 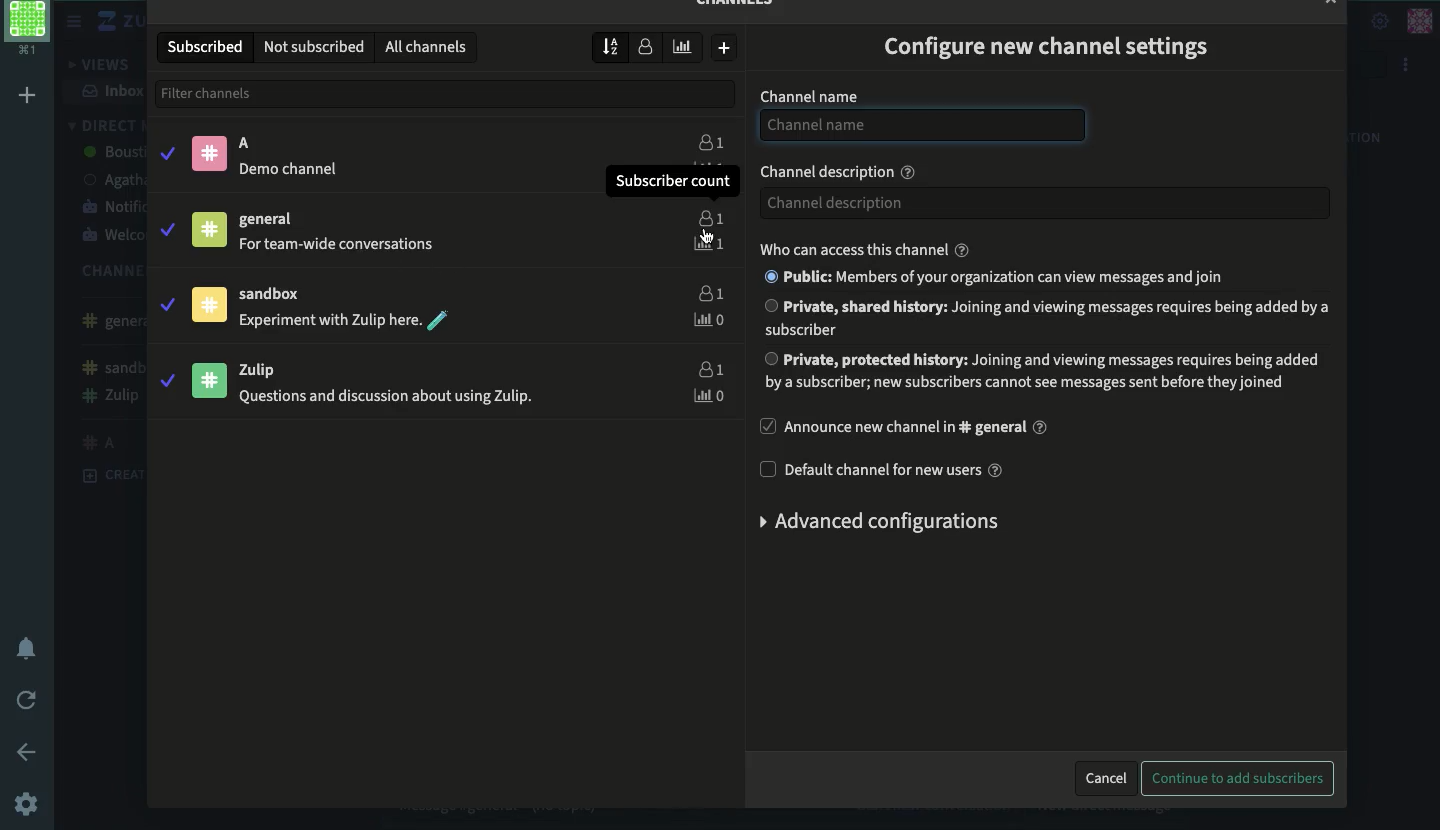 I want to click on ® Demo channel, so click(x=294, y=169).